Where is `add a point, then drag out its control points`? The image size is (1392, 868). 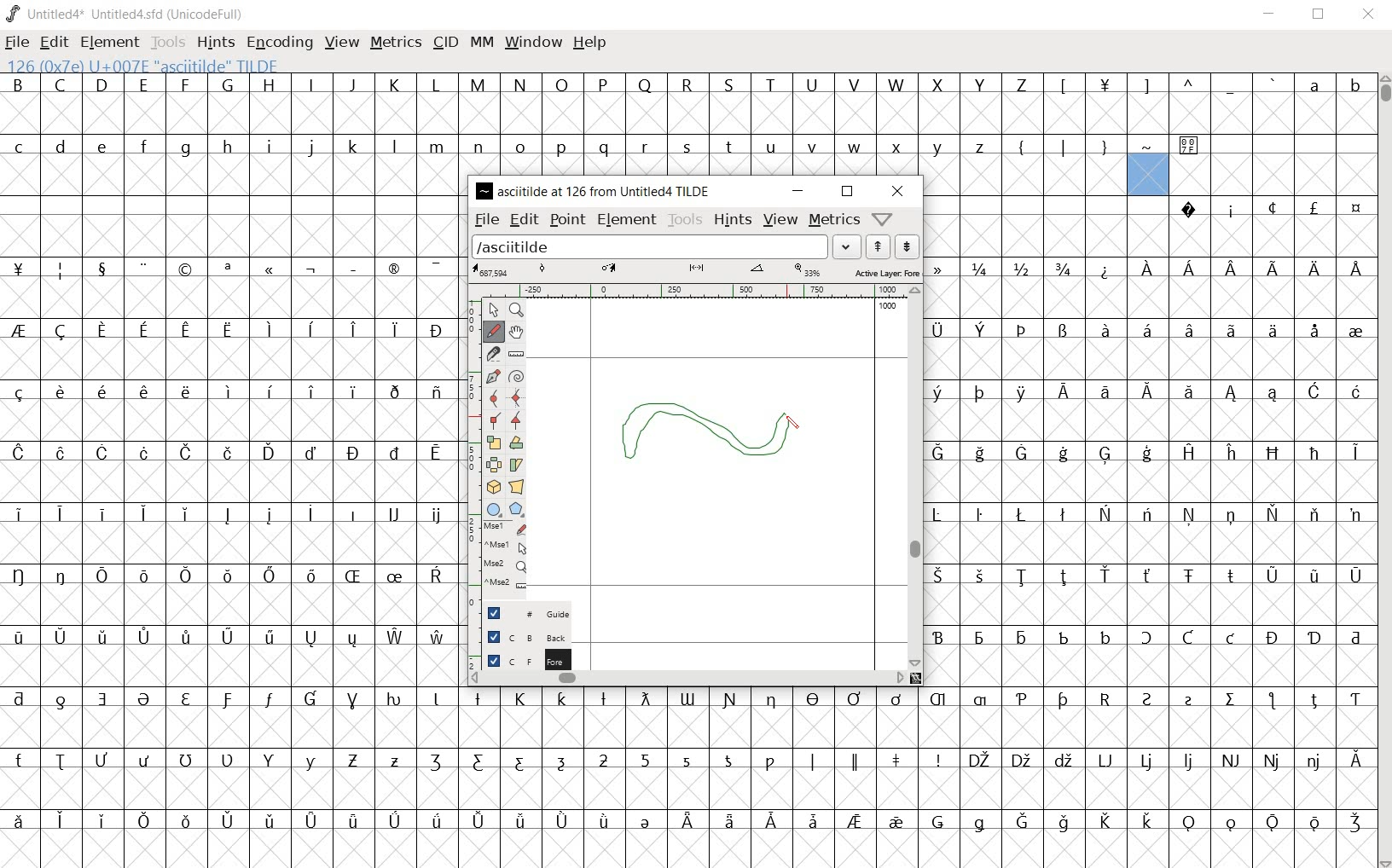
add a point, then drag out its control points is located at coordinates (491, 375).